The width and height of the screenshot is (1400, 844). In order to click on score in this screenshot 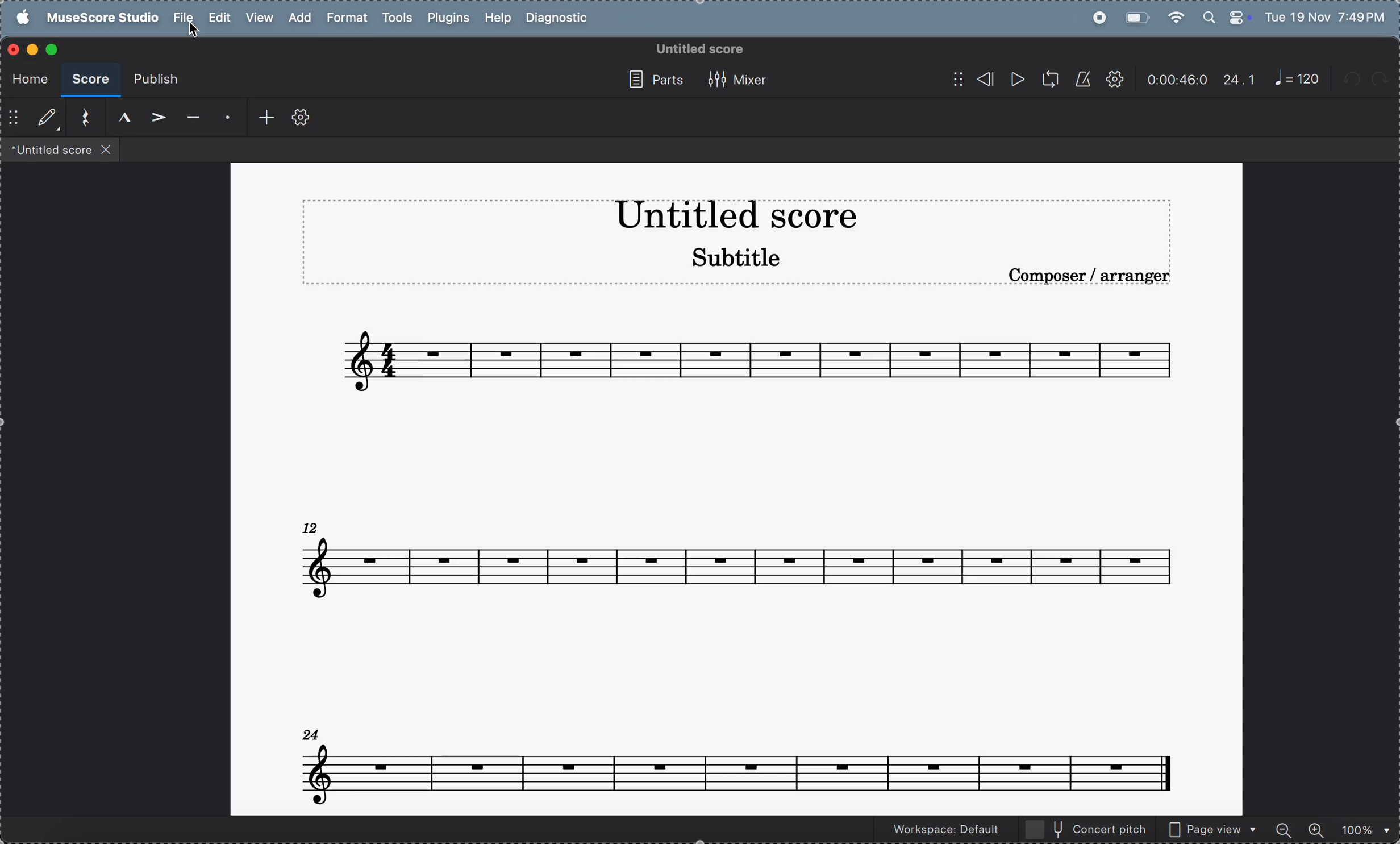, I will do `click(90, 80)`.